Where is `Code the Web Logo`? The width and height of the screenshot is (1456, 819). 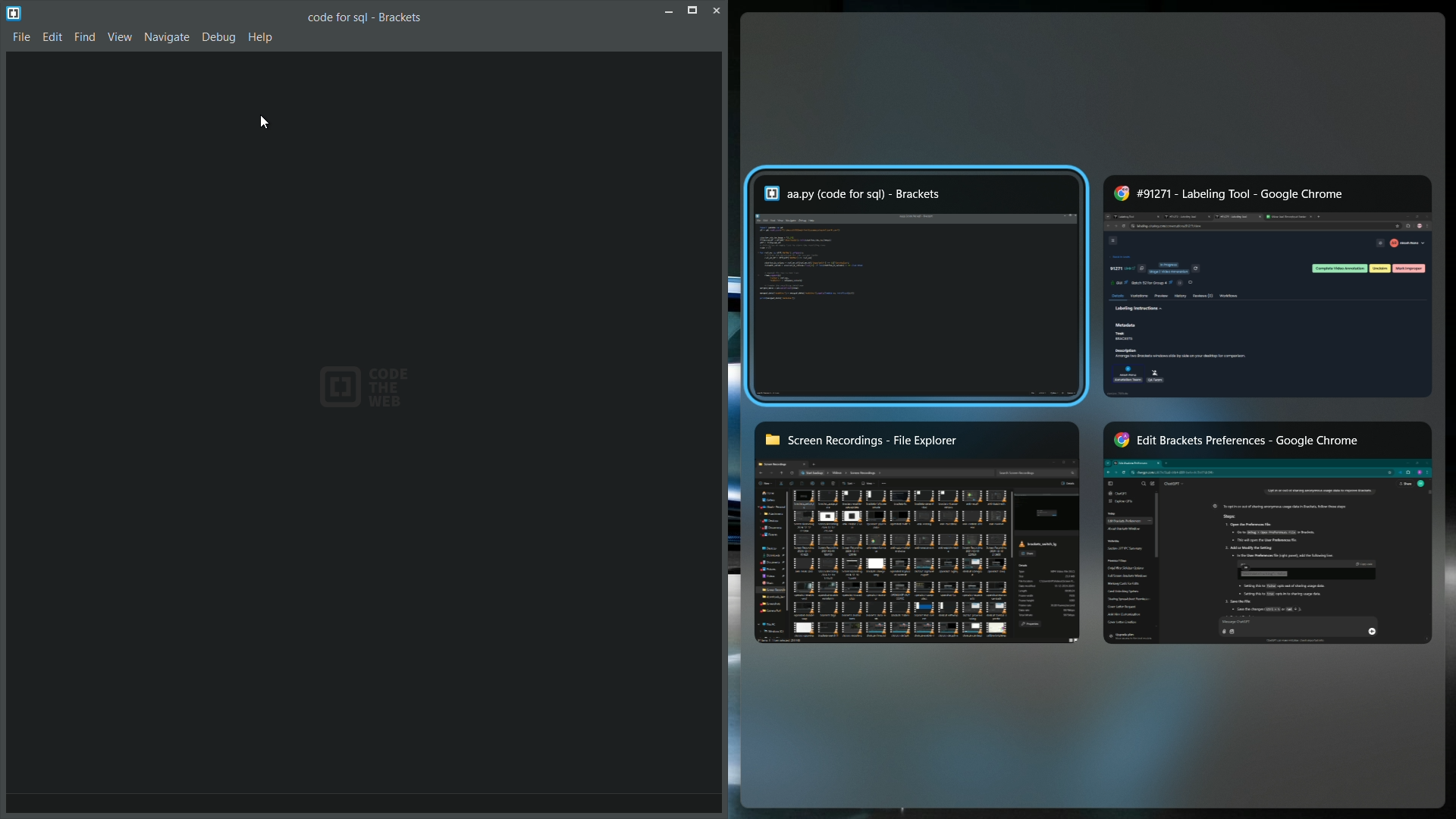
Code the Web Logo is located at coordinates (376, 388).